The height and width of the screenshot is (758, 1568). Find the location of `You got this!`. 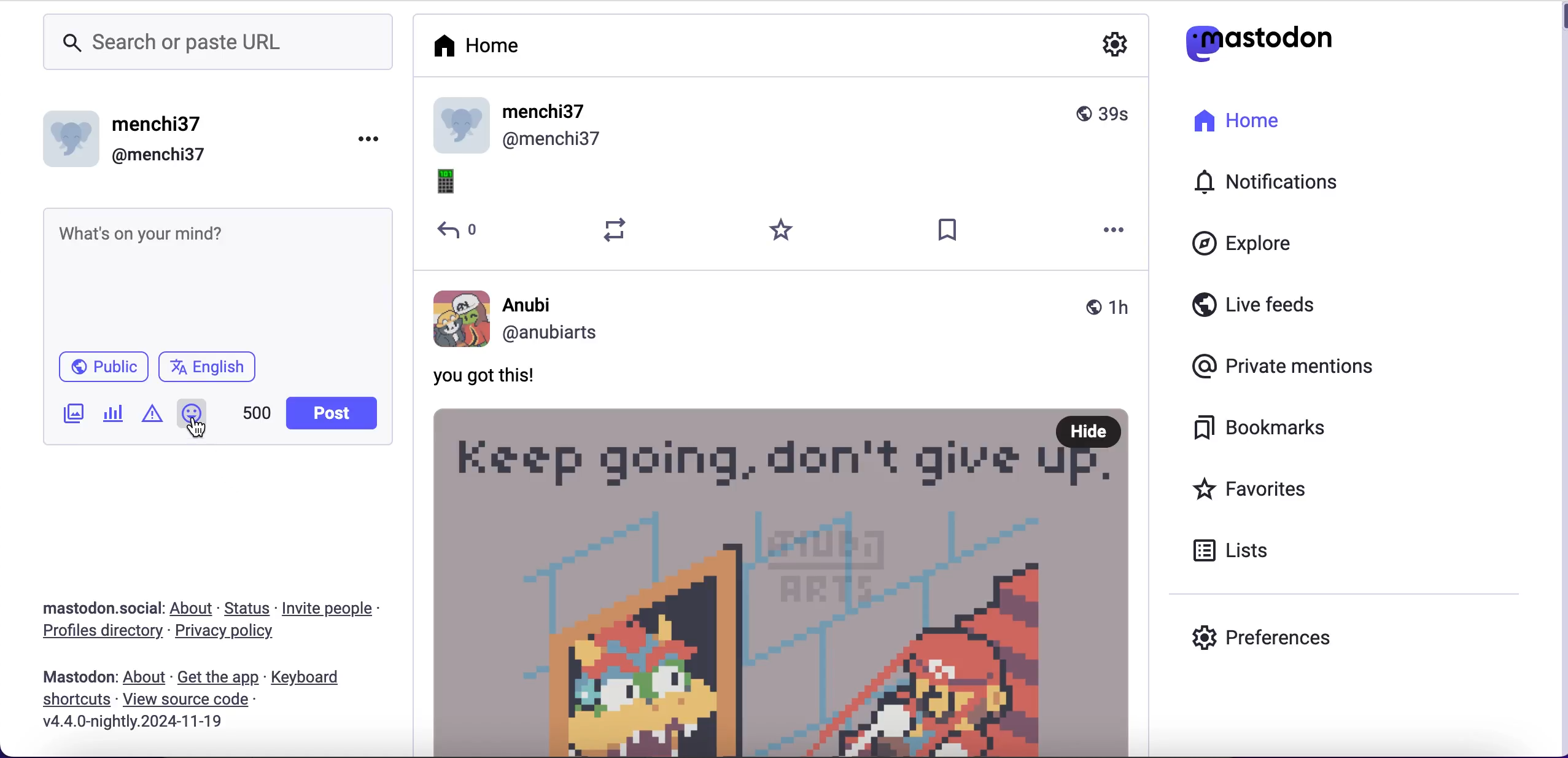

You got this! is located at coordinates (500, 377).